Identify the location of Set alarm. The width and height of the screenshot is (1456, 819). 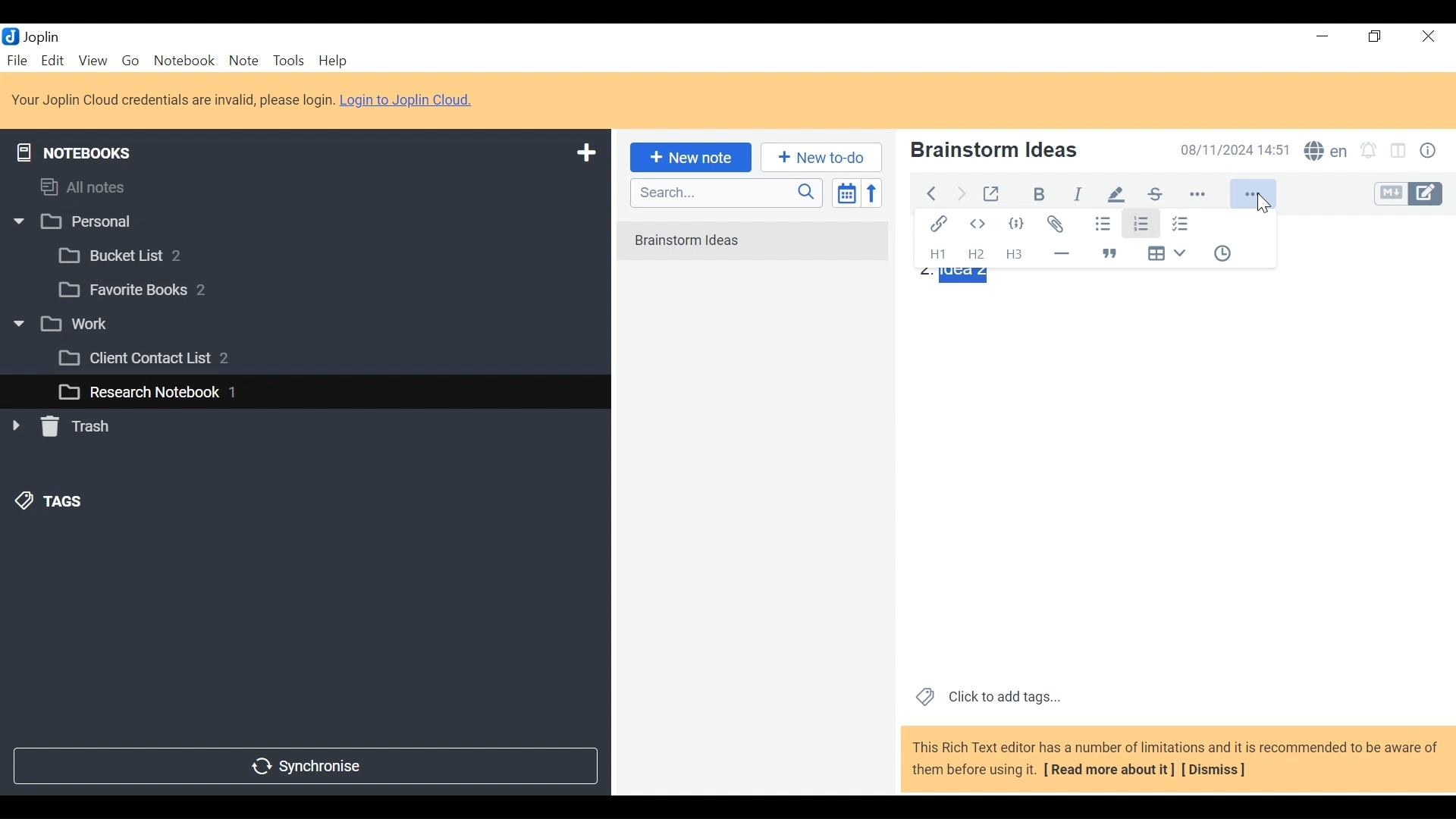
(1369, 152).